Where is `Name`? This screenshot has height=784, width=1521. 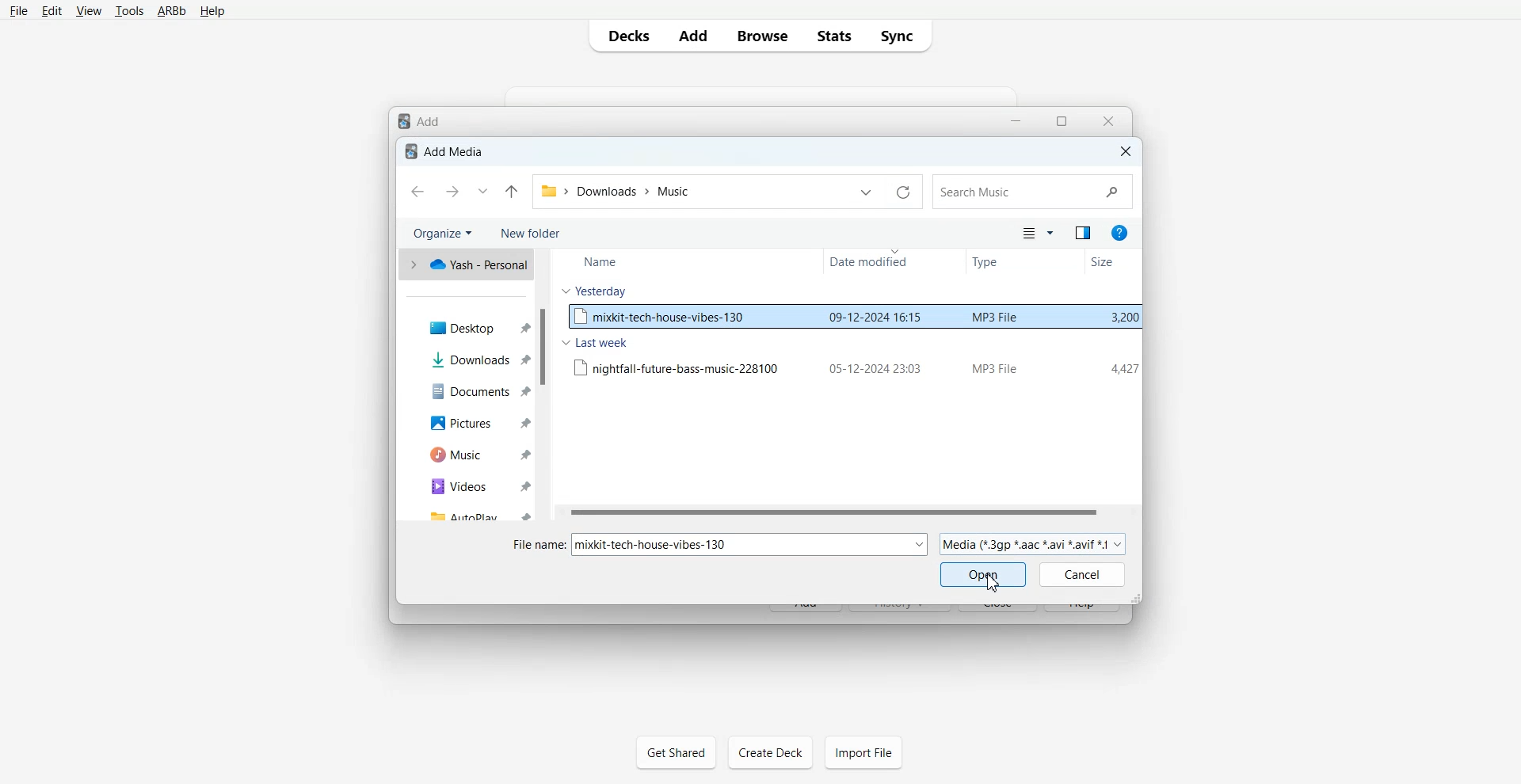 Name is located at coordinates (608, 262).